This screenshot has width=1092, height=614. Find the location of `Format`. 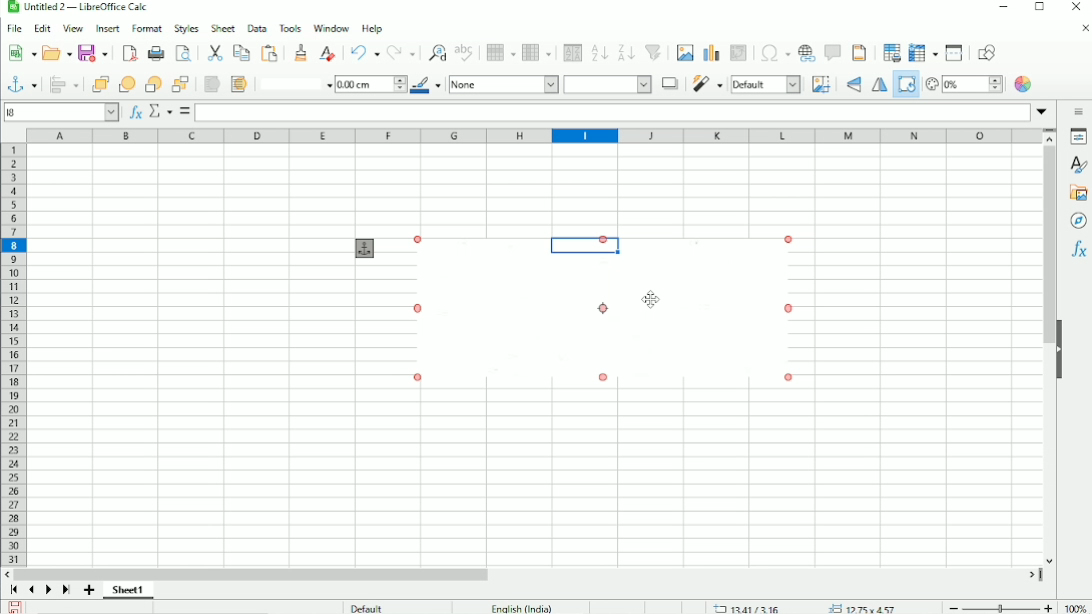

Format is located at coordinates (146, 28).